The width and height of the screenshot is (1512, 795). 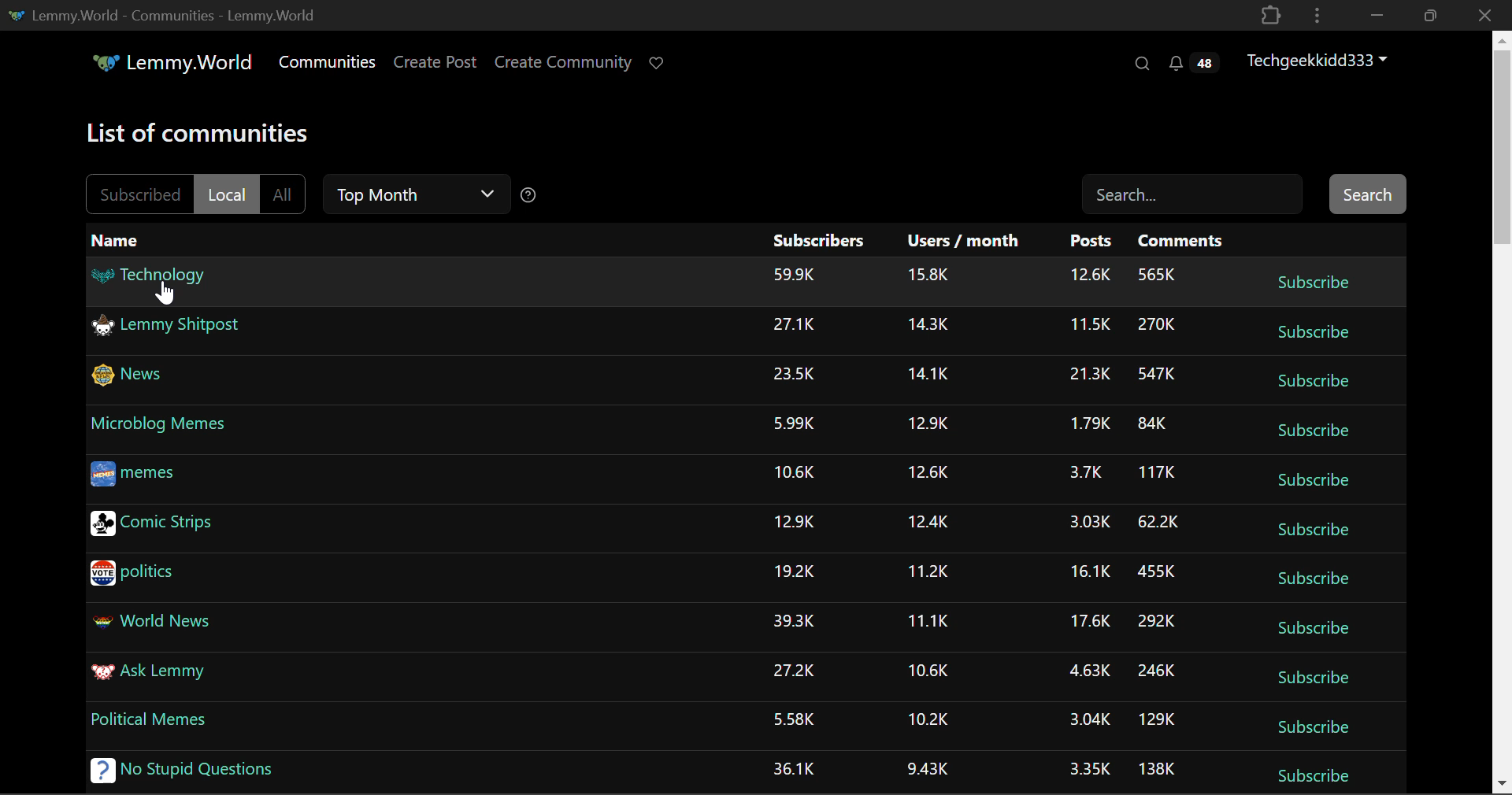 I want to click on Amount , so click(x=1157, y=275).